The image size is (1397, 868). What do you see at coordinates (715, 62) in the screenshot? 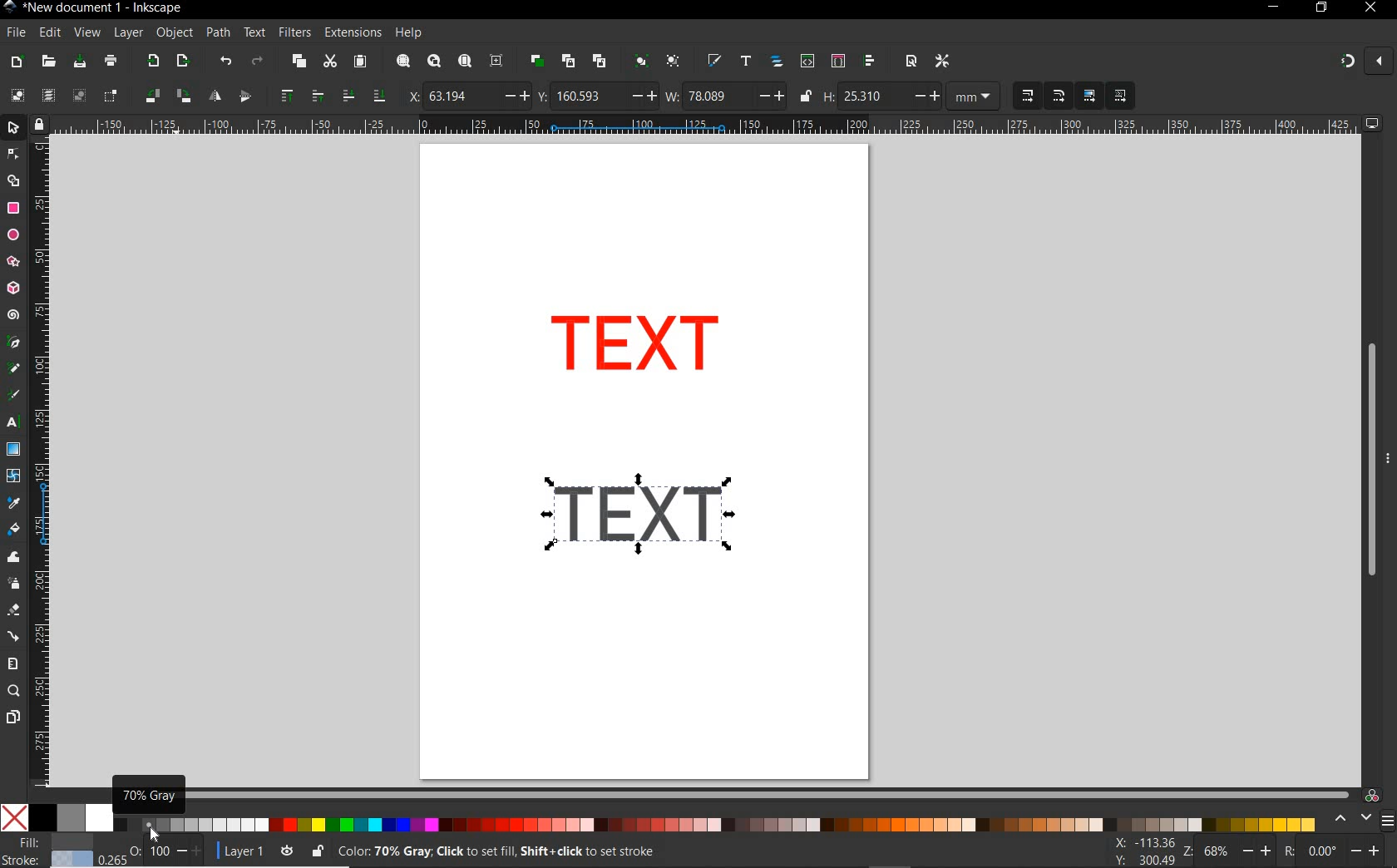
I see `open fill and stroke` at bounding box center [715, 62].